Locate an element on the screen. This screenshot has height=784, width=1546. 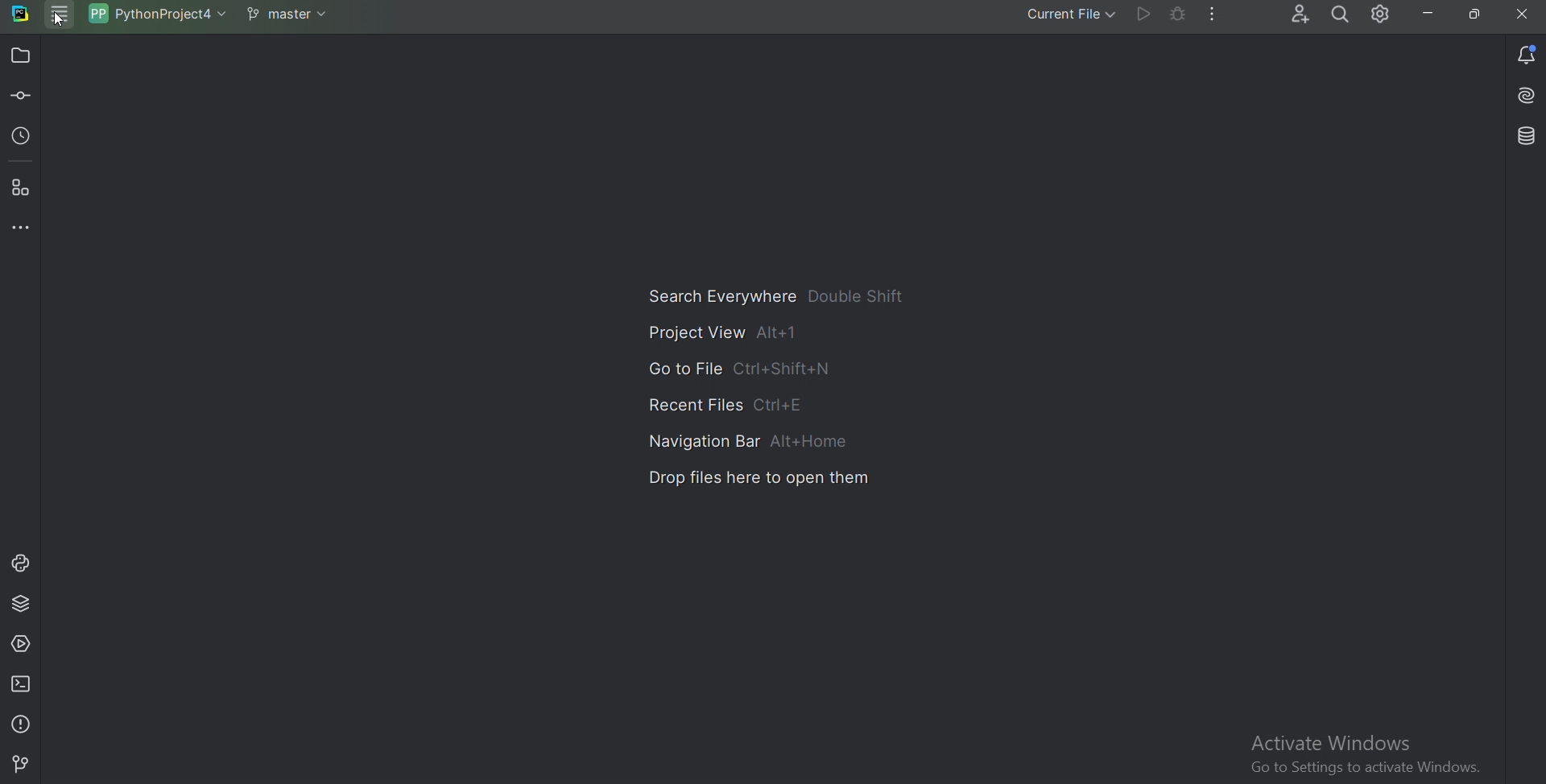
Project is located at coordinates (22, 56).